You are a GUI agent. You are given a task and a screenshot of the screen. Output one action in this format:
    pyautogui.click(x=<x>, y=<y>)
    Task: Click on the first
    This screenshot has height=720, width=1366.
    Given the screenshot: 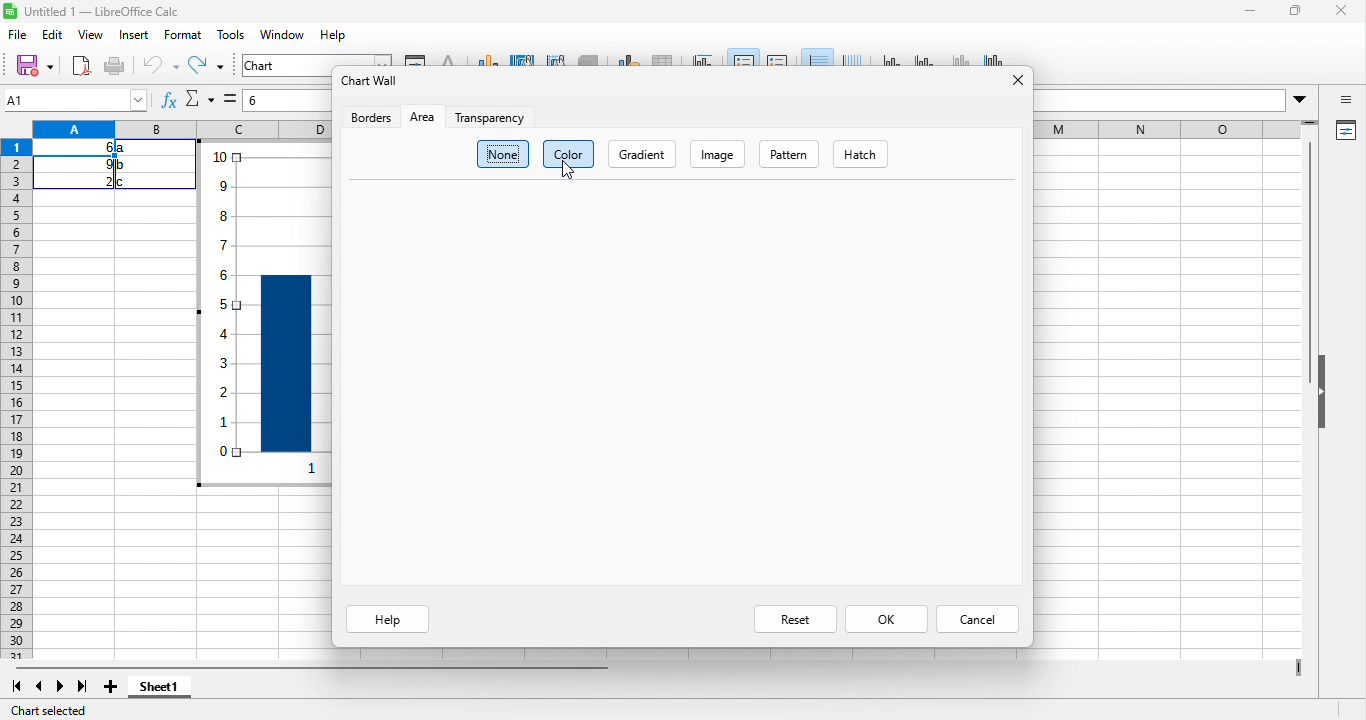 What is the action you would take?
    pyautogui.click(x=21, y=688)
    